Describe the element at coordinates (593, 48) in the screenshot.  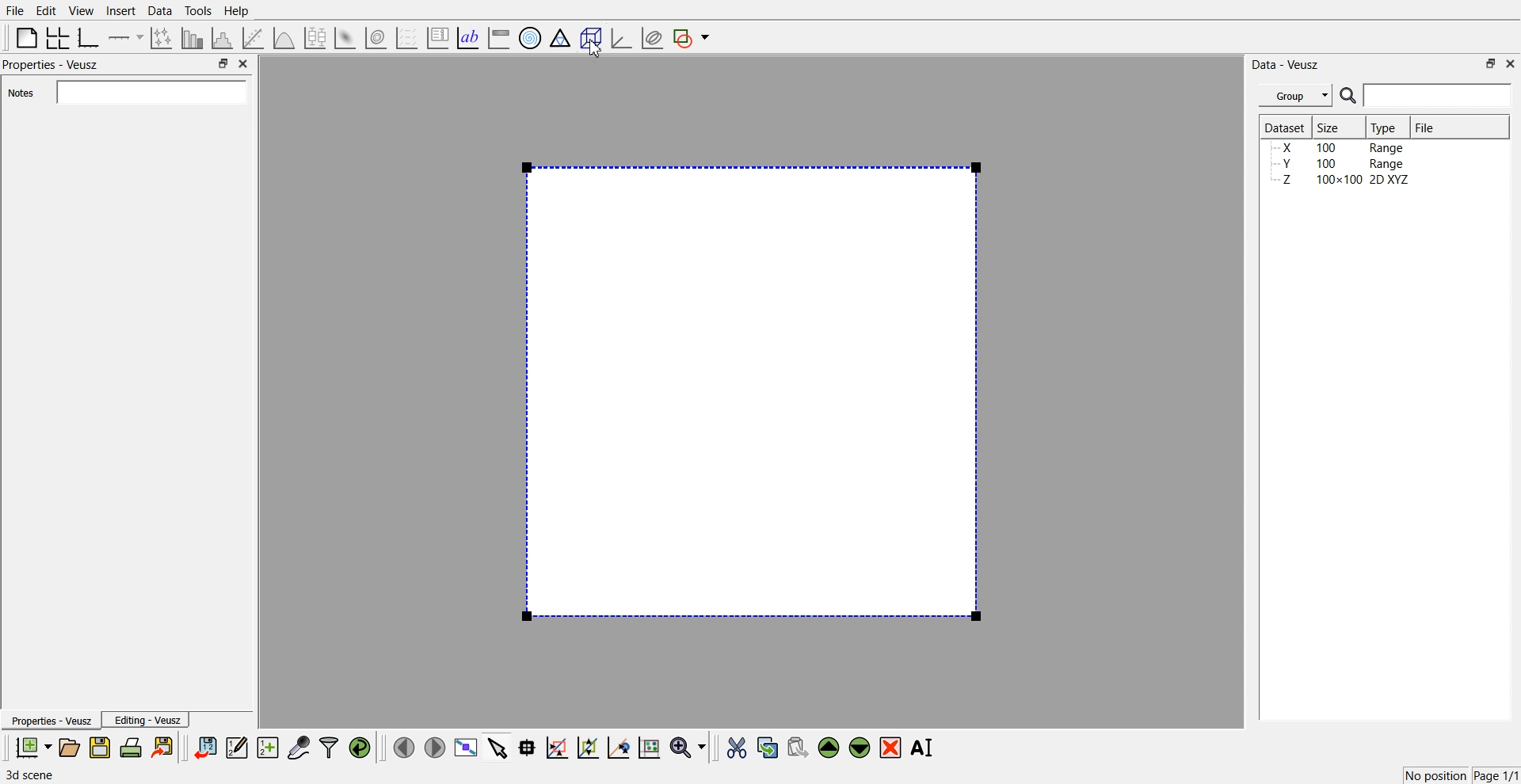
I see `Cursor` at that location.